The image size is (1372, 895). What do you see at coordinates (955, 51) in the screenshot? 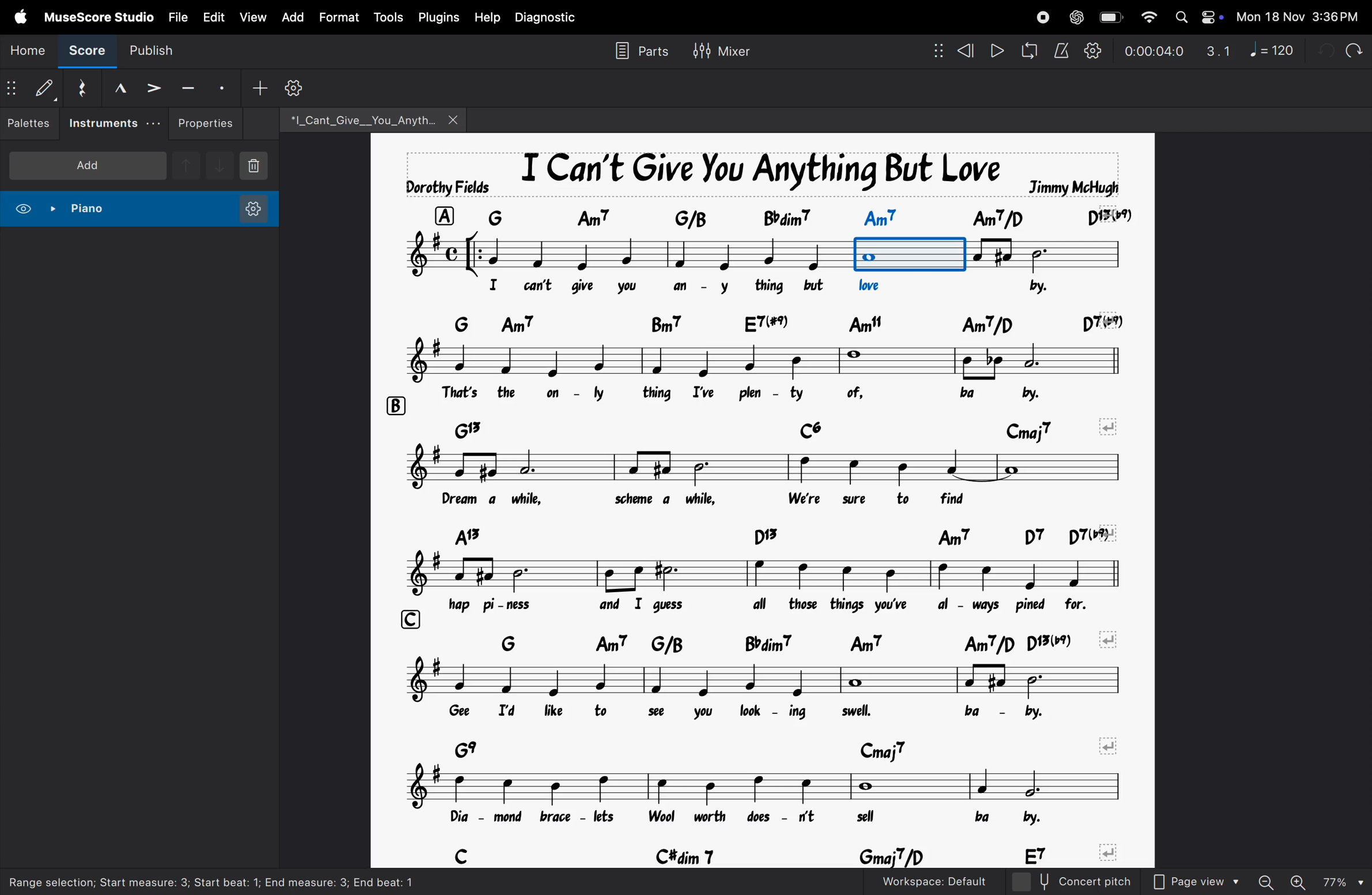
I see `rewind` at bounding box center [955, 51].